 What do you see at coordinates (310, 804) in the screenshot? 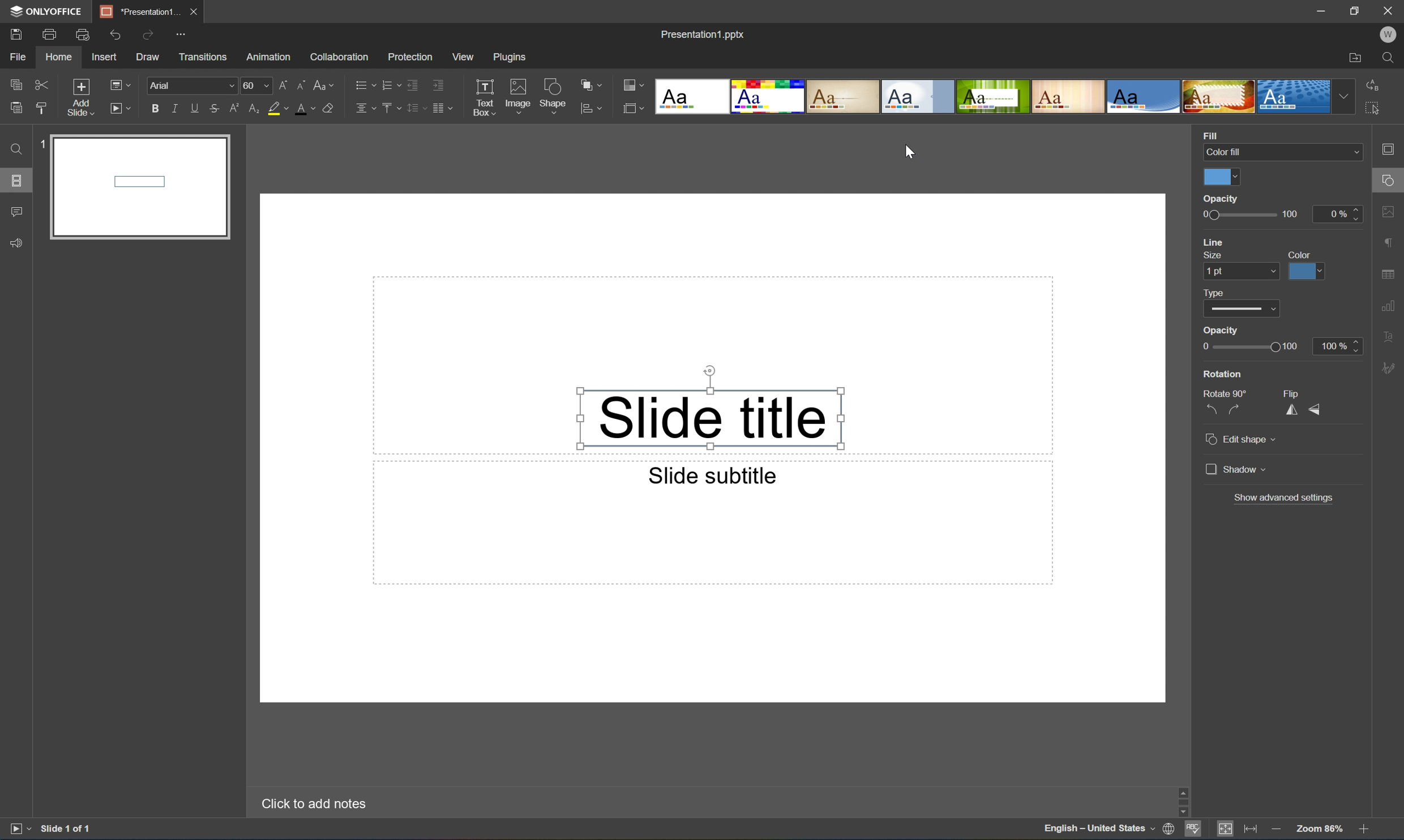
I see `Click to add notes` at bounding box center [310, 804].